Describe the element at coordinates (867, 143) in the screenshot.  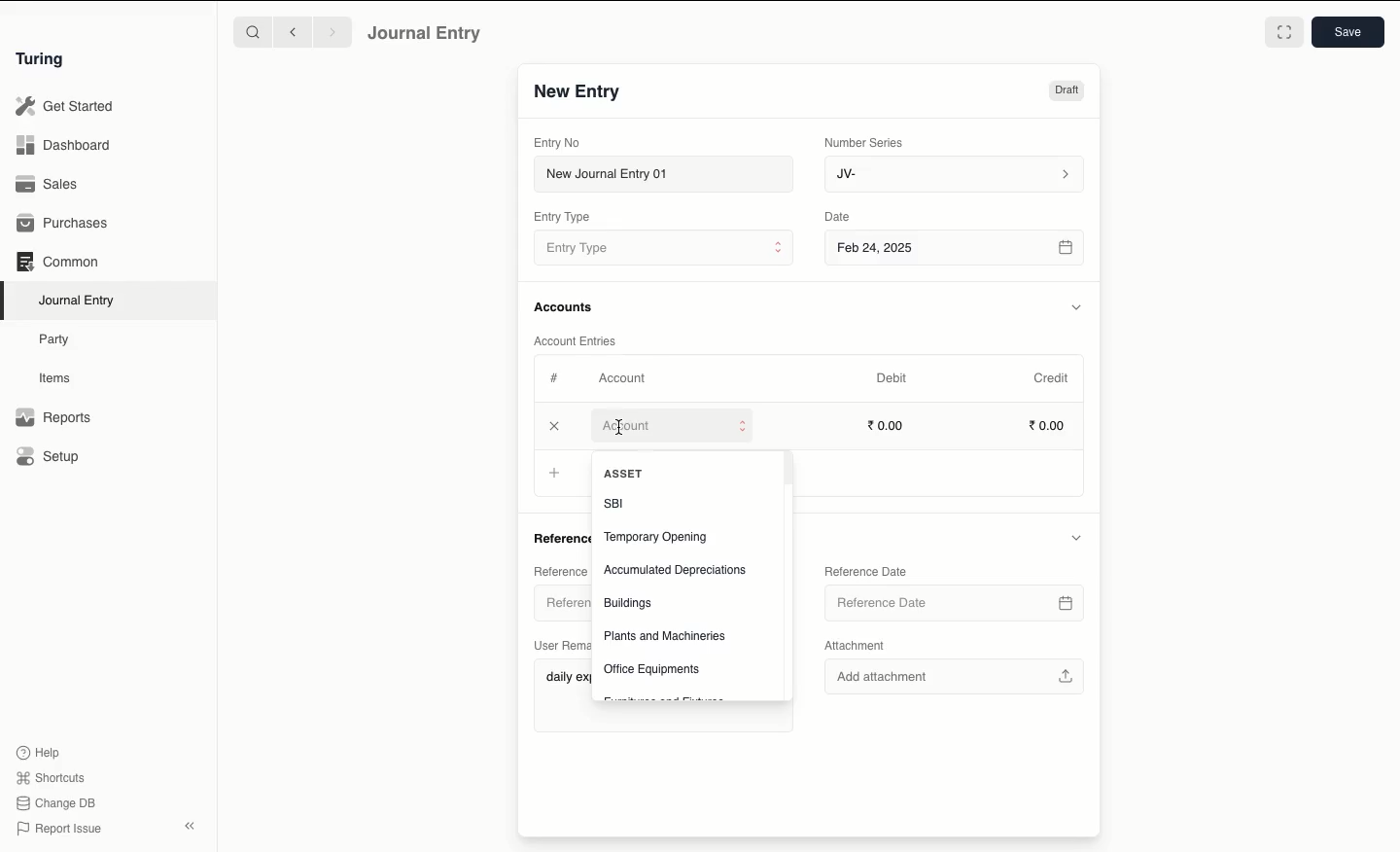
I see `Number Series` at that location.